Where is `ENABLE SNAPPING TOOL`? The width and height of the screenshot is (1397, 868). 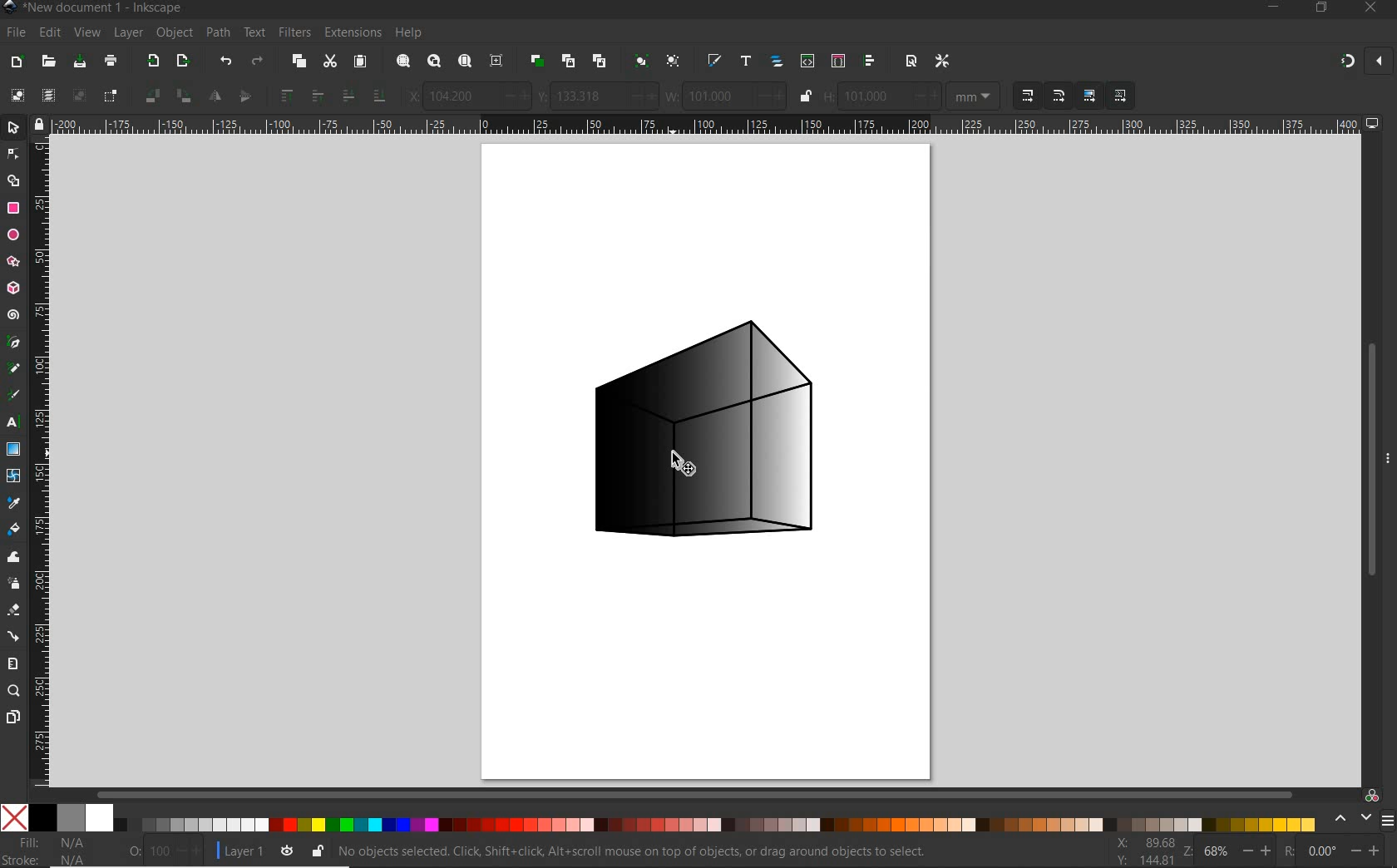
ENABLE SNAPPING TOOL is located at coordinates (1348, 62).